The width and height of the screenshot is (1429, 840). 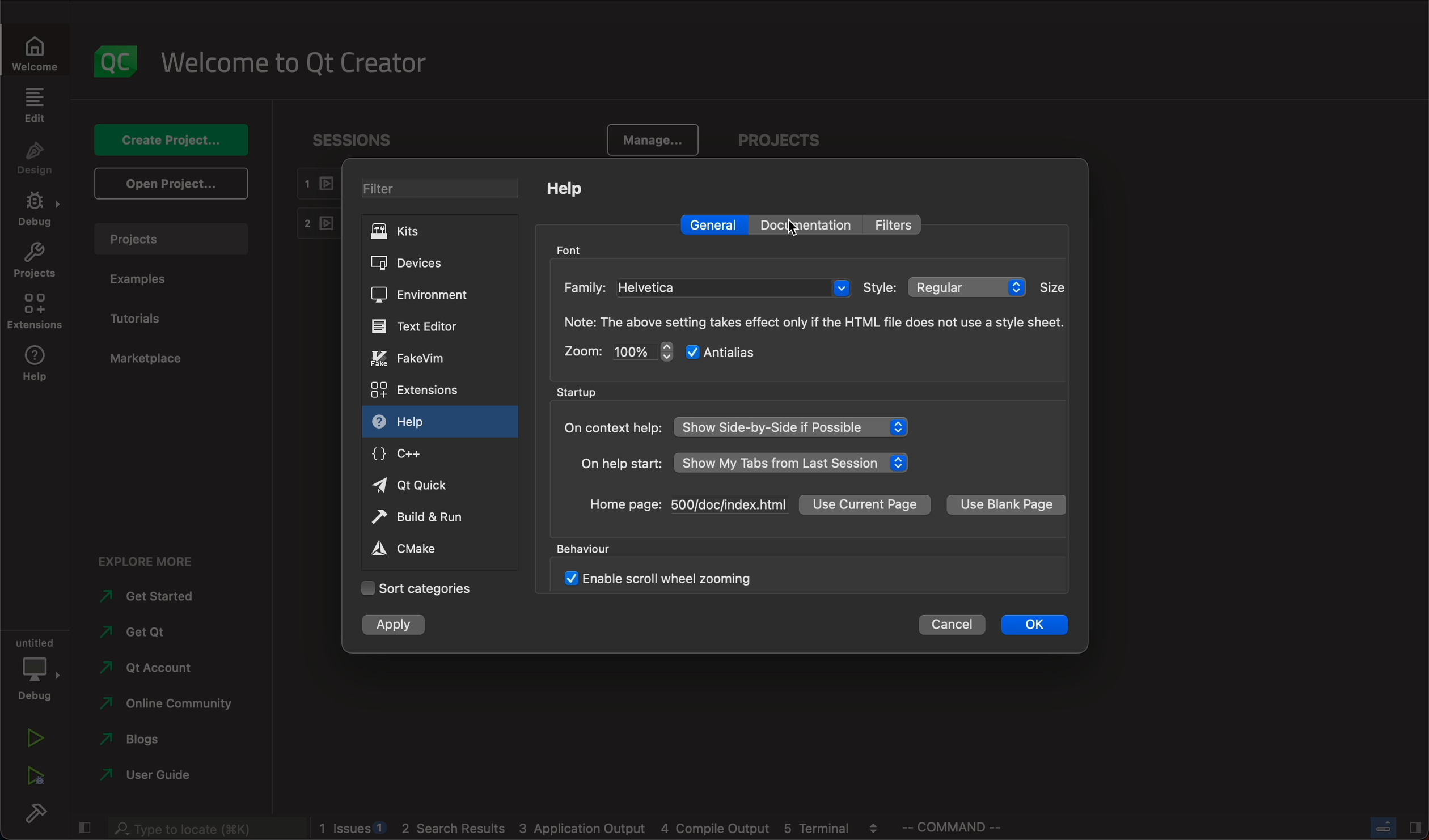 I want to click on welcome, so click(x=33, y=57).